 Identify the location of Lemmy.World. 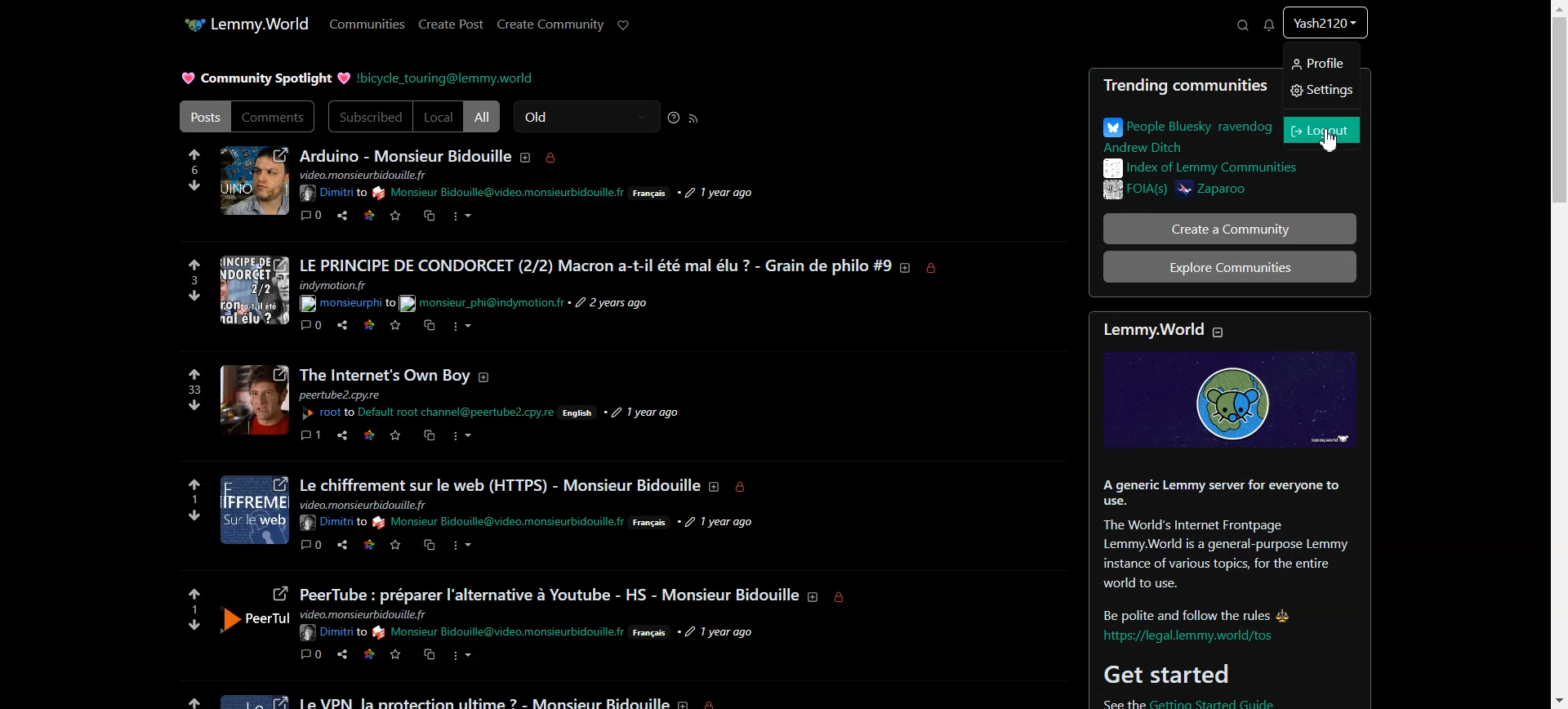
(263, 23).